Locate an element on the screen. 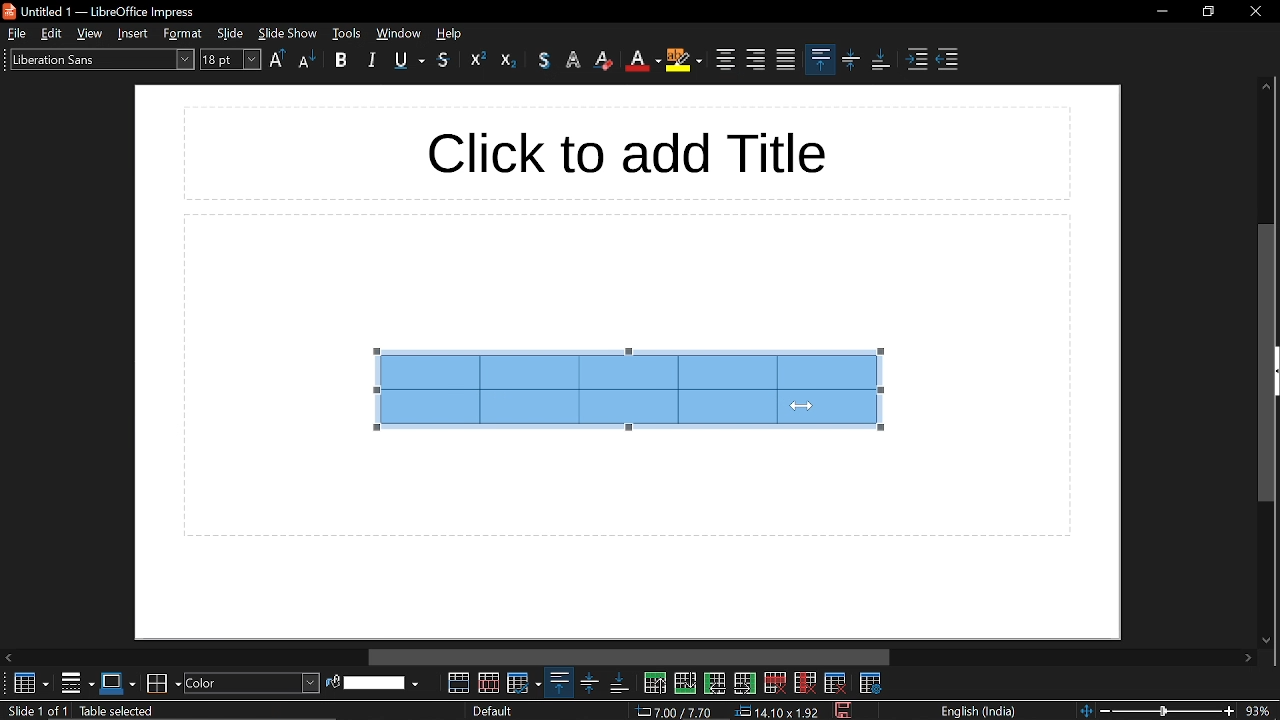 The image size is (1280, 720). window is located at coordinates (398, 34).